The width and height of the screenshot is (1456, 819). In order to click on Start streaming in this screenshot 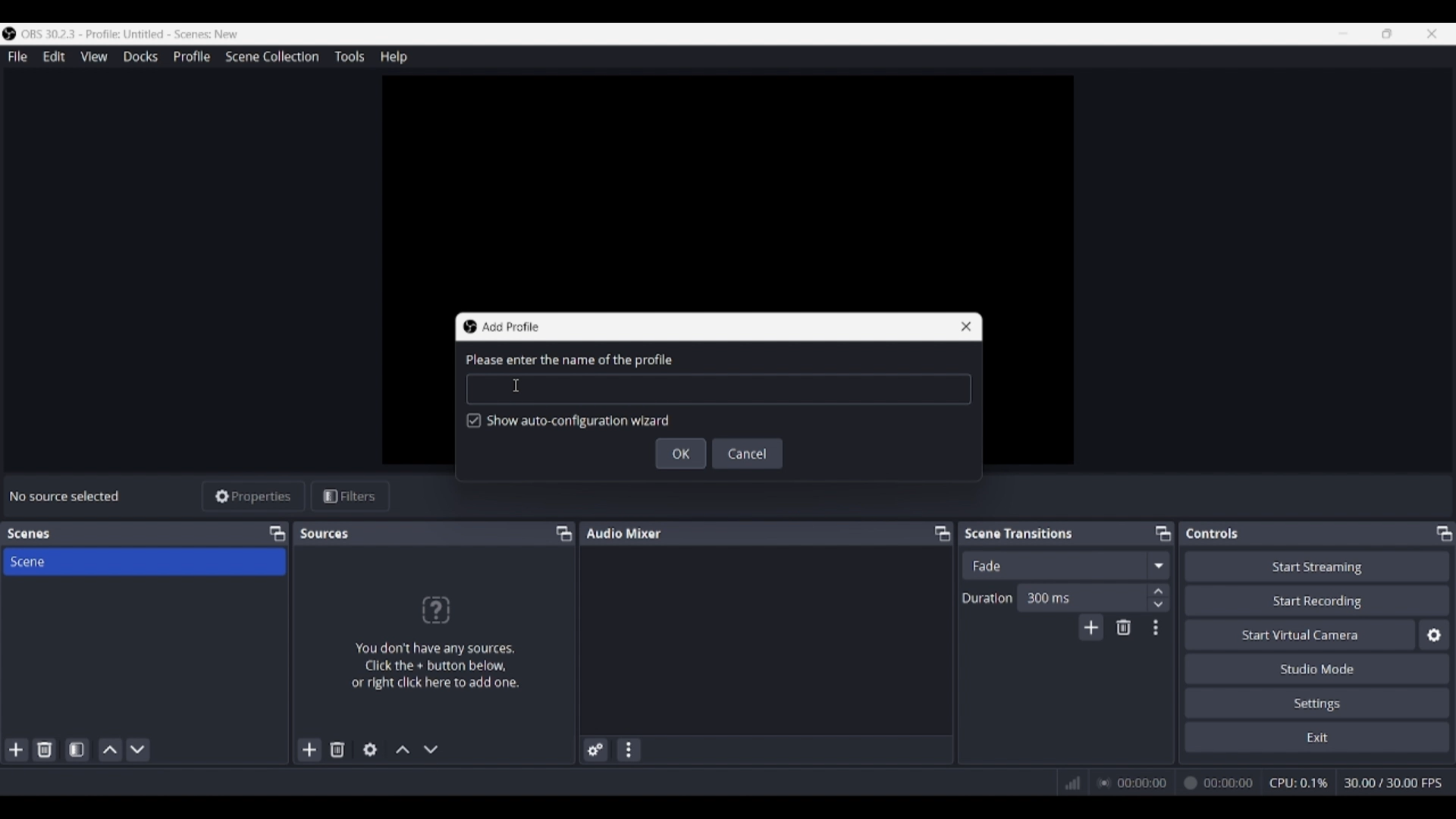, I will do `click(1318, 566)`.